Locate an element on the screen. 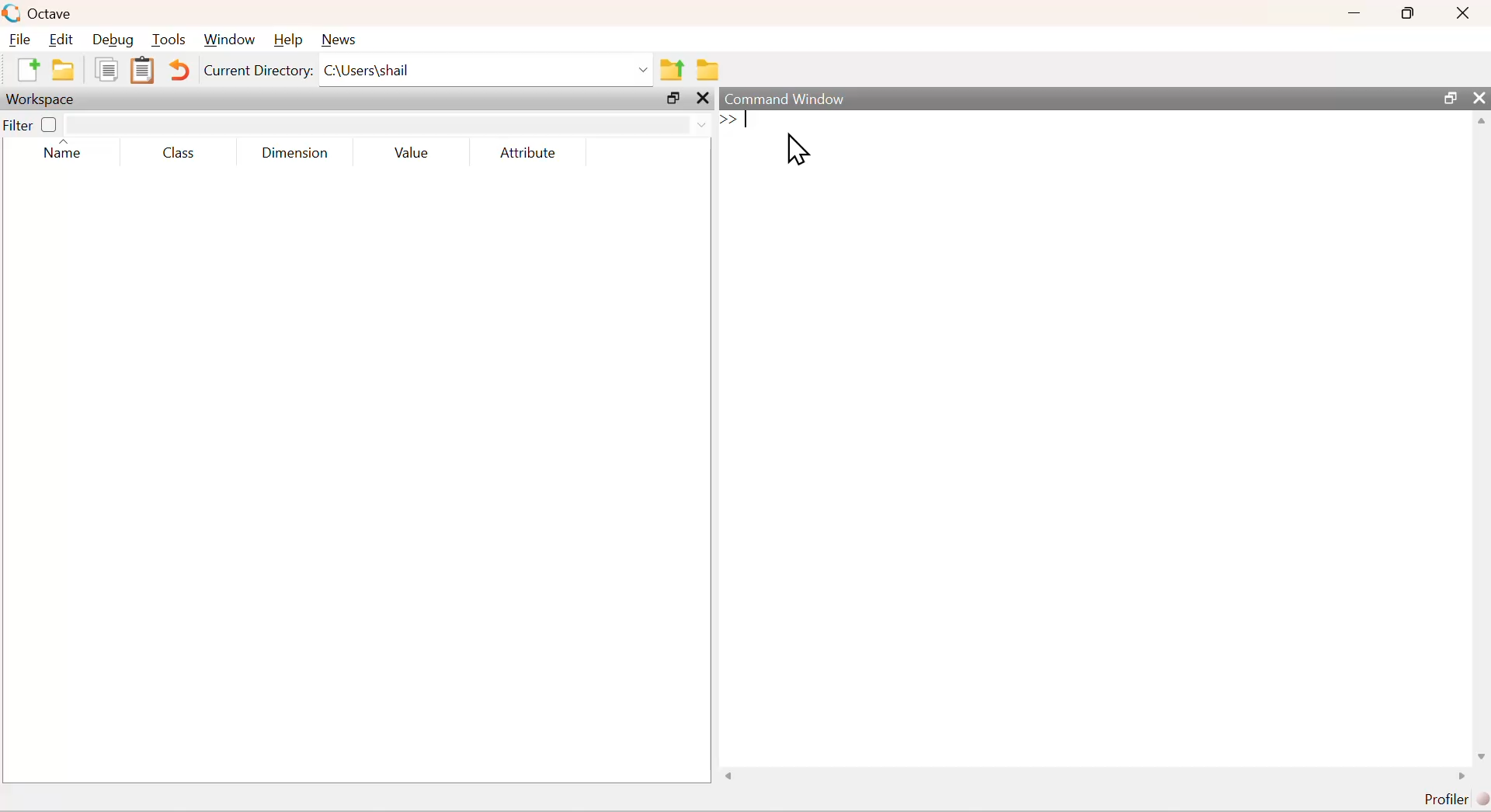 This screenshot has height=812, width=1491. logo is located at coordinates (13, 15).